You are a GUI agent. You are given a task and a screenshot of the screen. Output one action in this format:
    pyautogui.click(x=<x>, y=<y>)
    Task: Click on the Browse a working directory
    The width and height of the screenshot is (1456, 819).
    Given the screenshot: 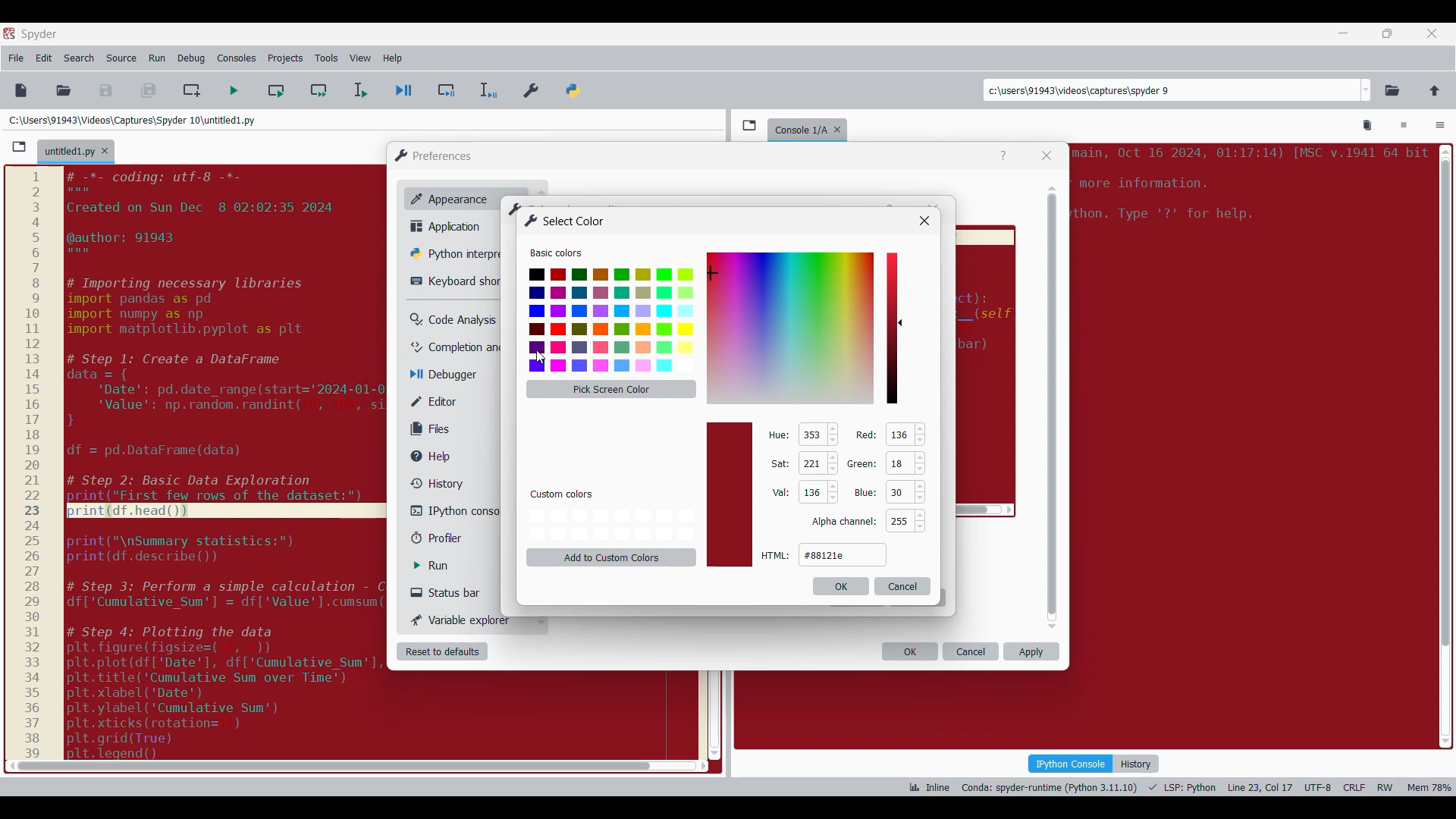 What is the action you would take?
    pyautogui.click(x=1392, y=90)
    